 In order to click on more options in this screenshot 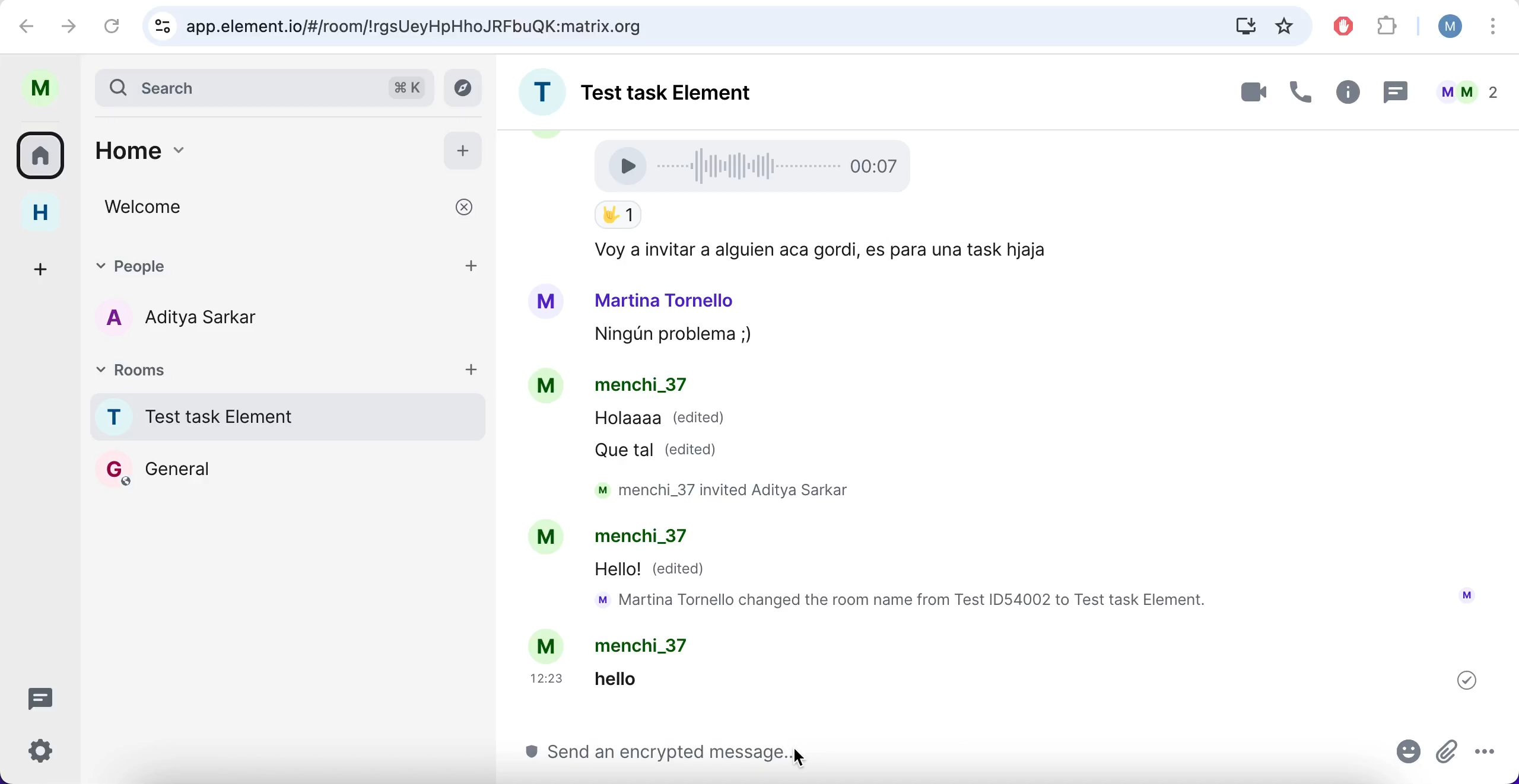, I will do `click(1482, 753)`.